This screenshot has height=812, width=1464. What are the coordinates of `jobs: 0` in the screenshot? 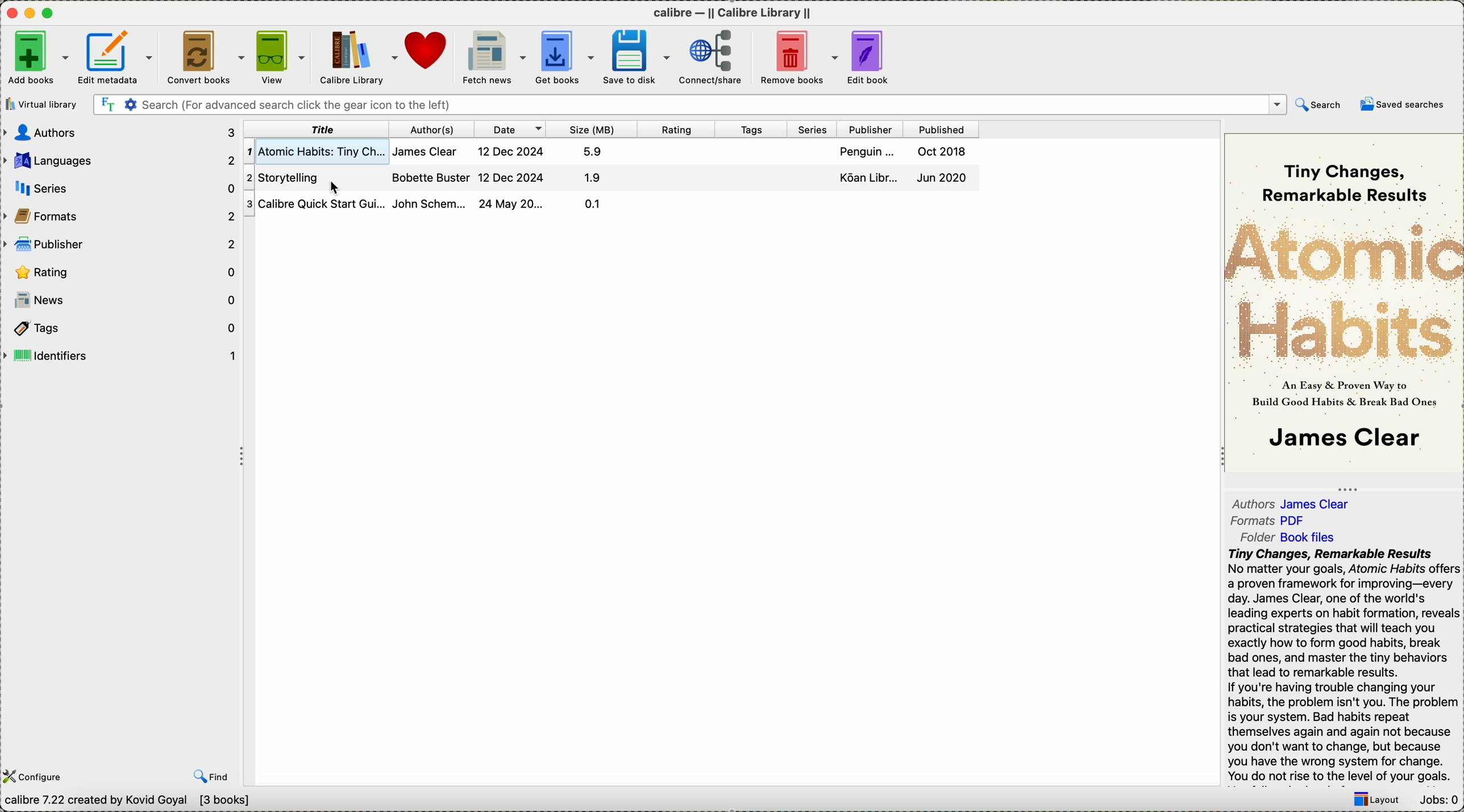 It's located at (1437, 799).